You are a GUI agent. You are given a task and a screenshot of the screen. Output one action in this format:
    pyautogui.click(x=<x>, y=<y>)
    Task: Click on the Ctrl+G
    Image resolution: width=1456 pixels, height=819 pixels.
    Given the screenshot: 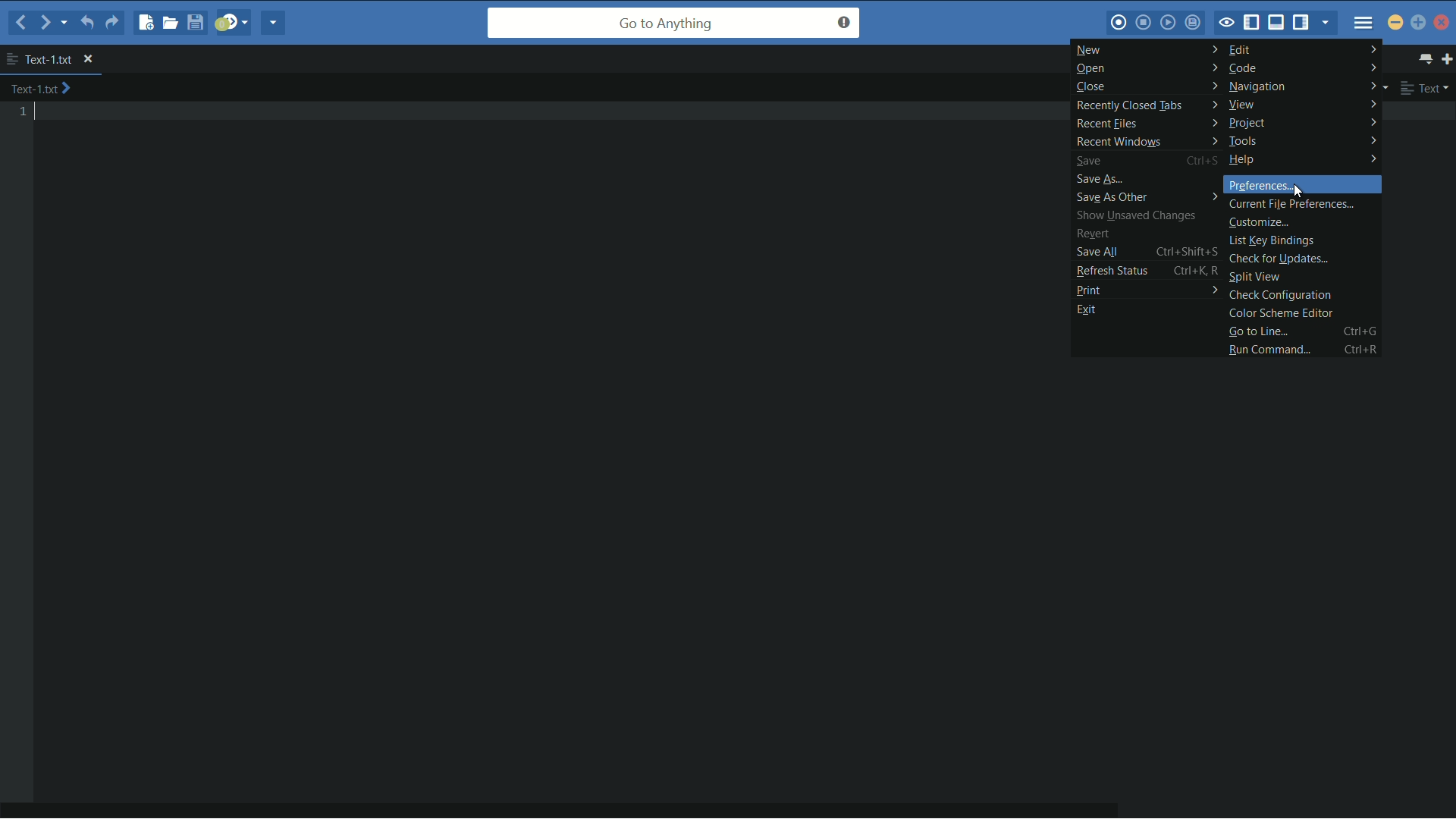 What is the action you would take?
    pyautogui.click(x=1363, y=330)
    